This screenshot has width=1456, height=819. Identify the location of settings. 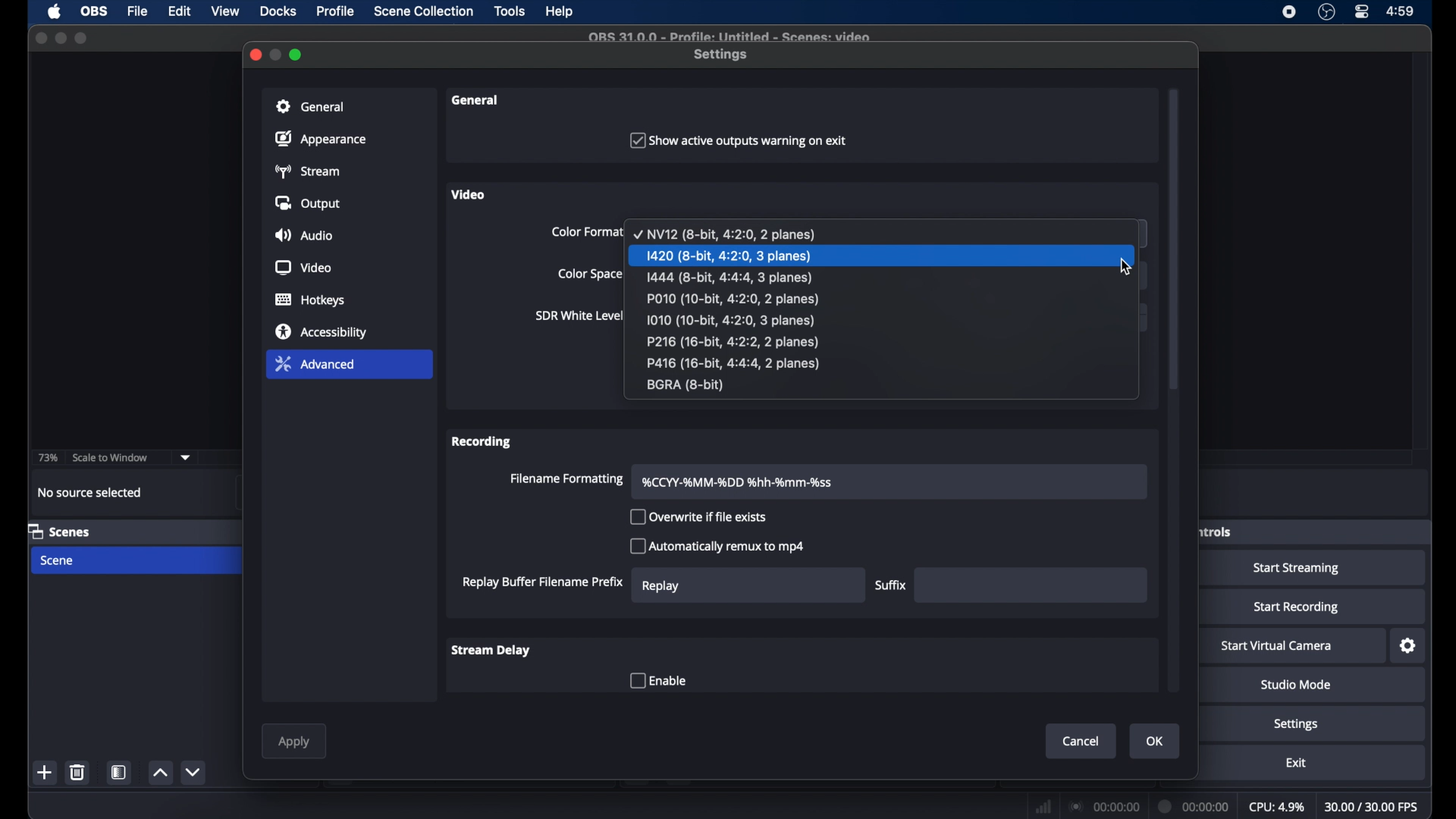
(1296, 724).